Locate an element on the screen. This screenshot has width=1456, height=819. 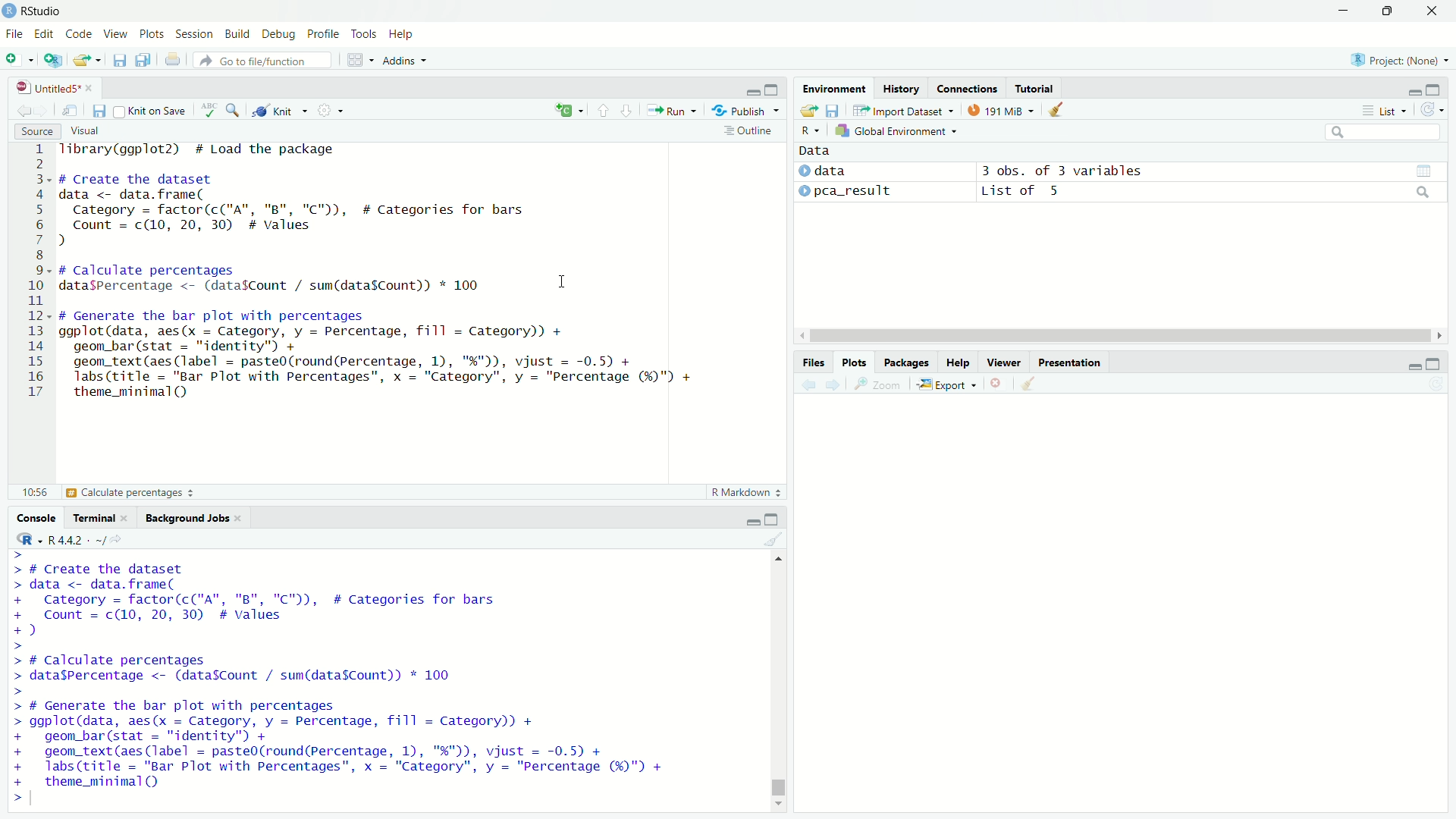
go forward is located at coordinates (833, 385).